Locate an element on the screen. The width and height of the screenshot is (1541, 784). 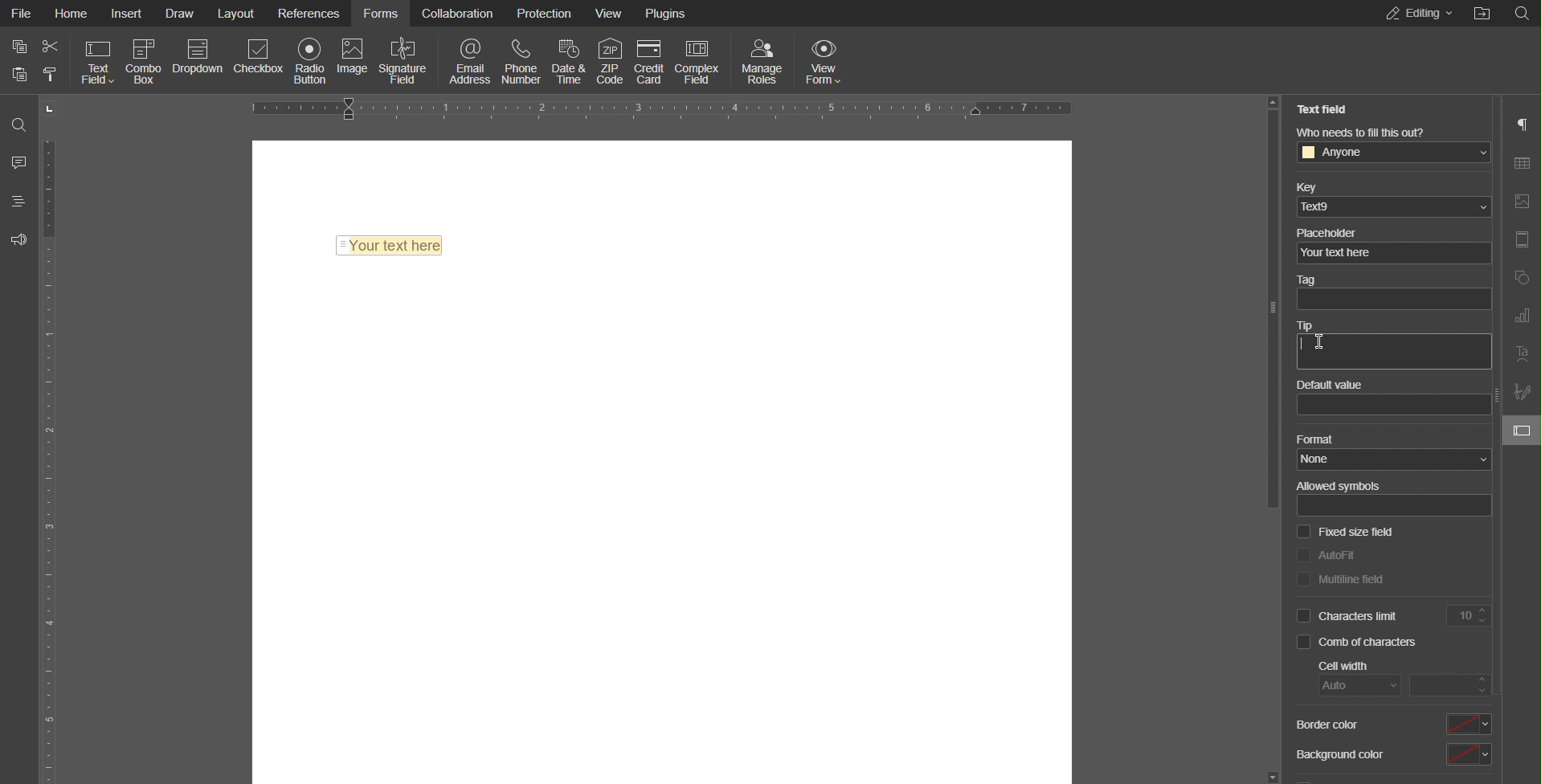
Text Field Settings is located at coordinates (1521, 430).